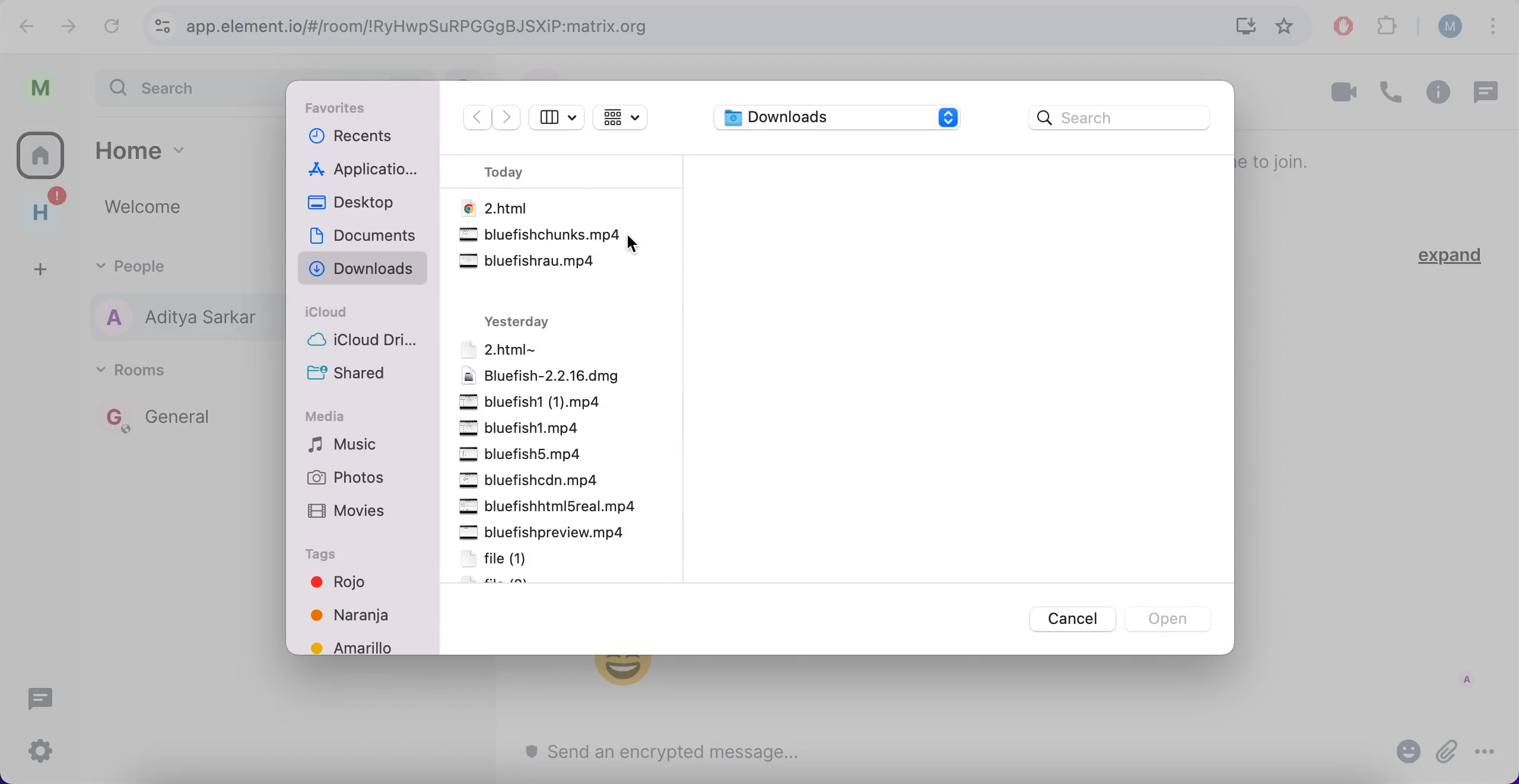 The image size is (1519, 784). What do you see at coordinates (1390, 92) in the screenshot?
I see `call` at bounding box center [1390, 92].